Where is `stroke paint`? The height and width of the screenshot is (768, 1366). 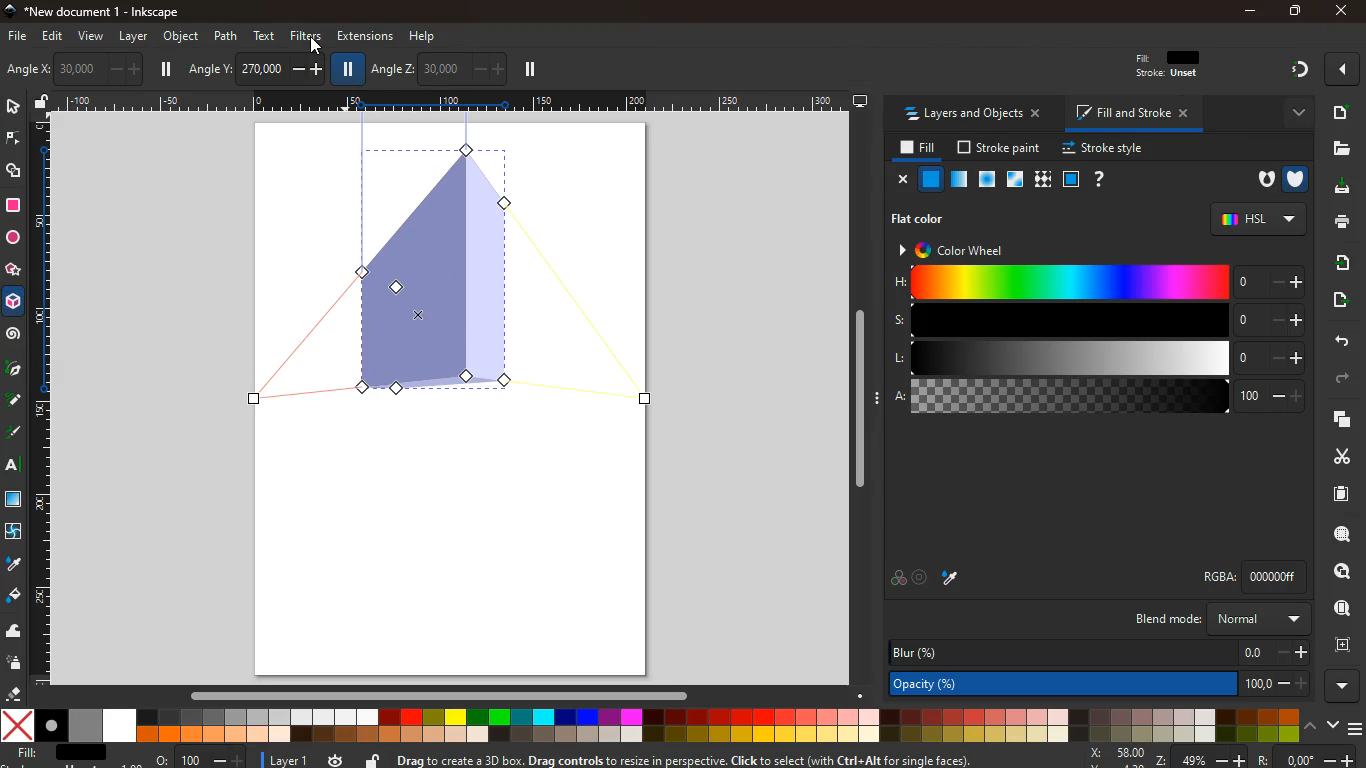 stroke paint is located at coordinates (995, 148).